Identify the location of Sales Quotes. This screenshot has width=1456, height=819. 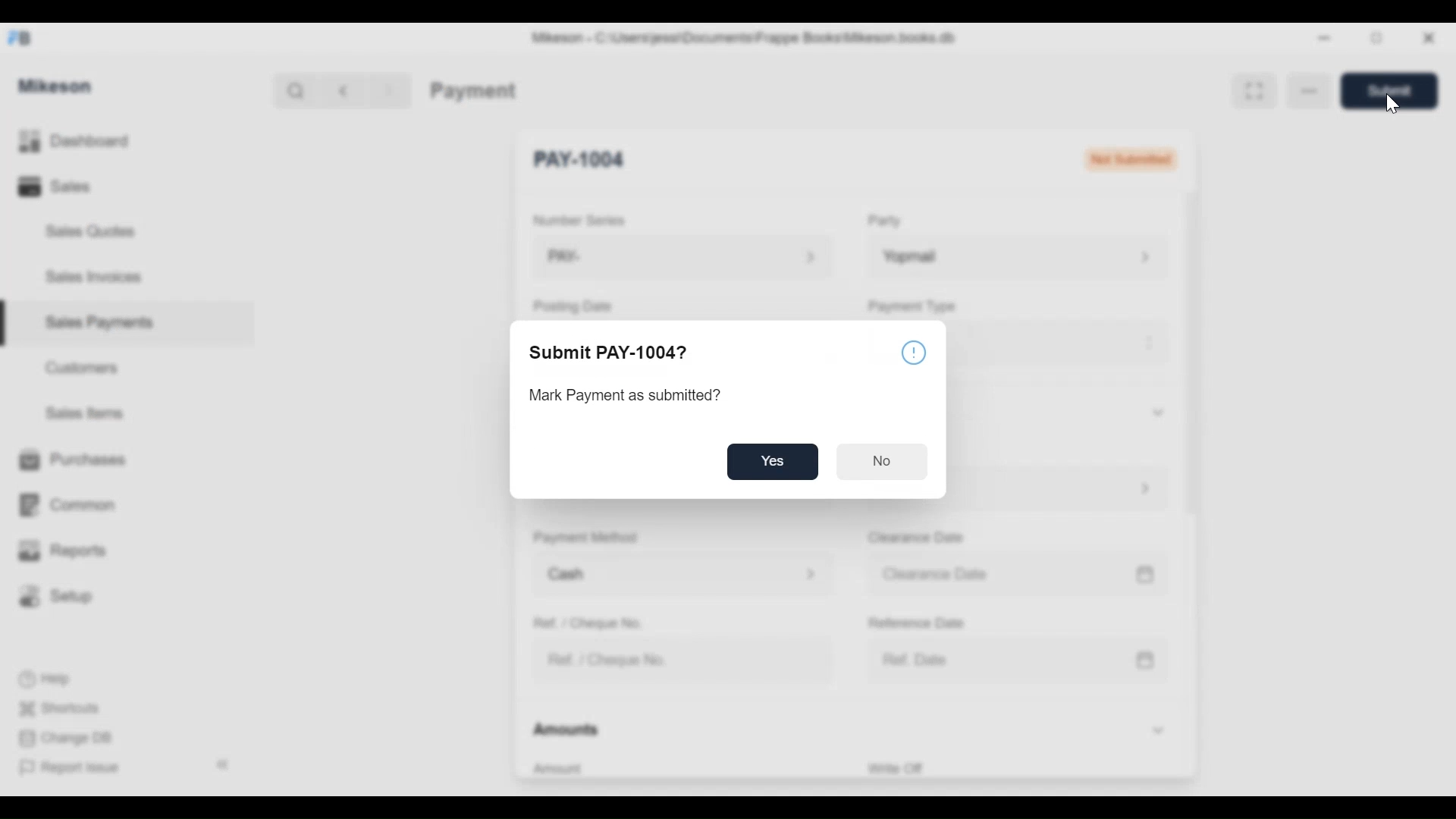
(83, 231).